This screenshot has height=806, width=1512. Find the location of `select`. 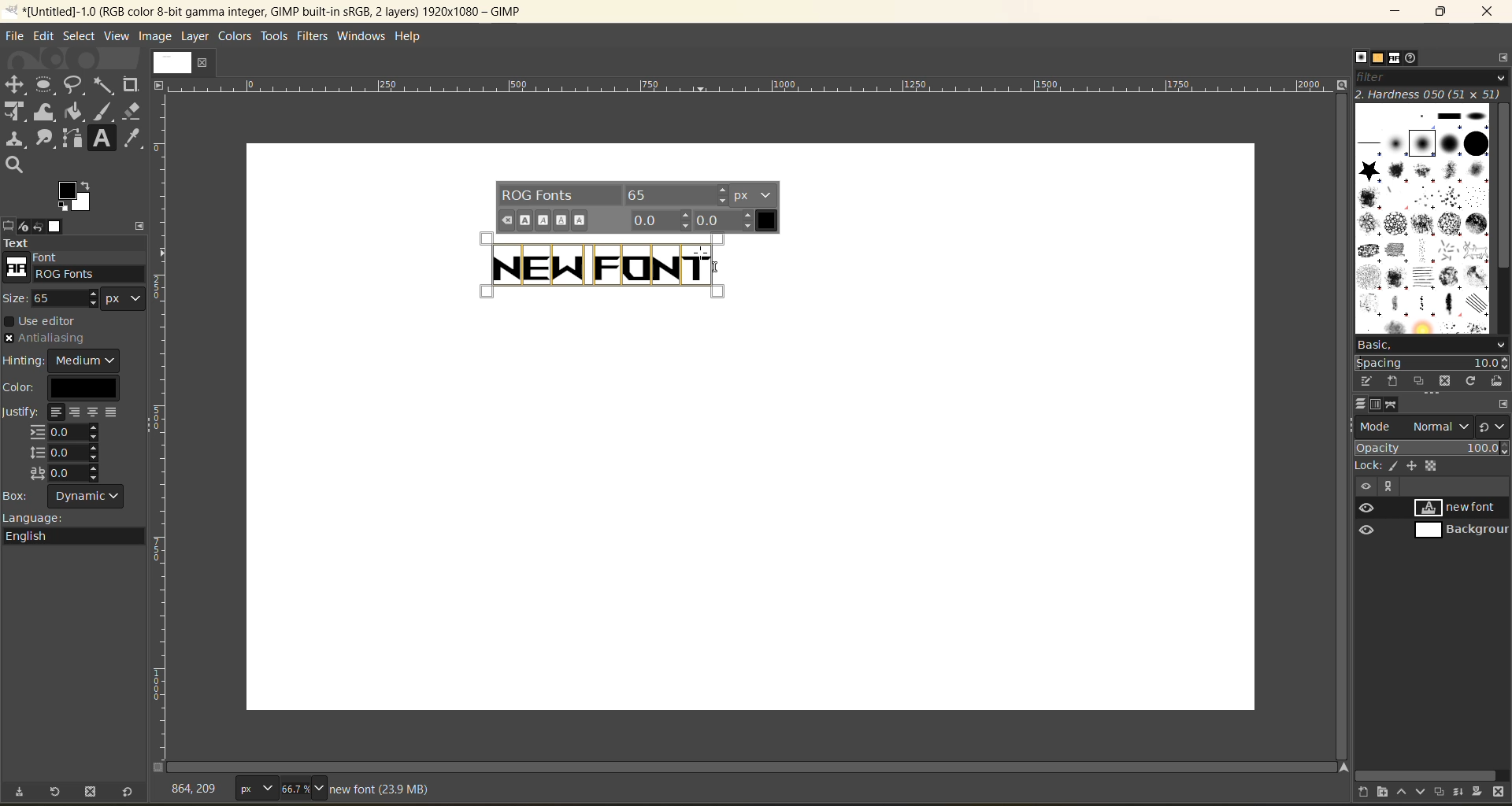

select is located at coordinates (80, 35).